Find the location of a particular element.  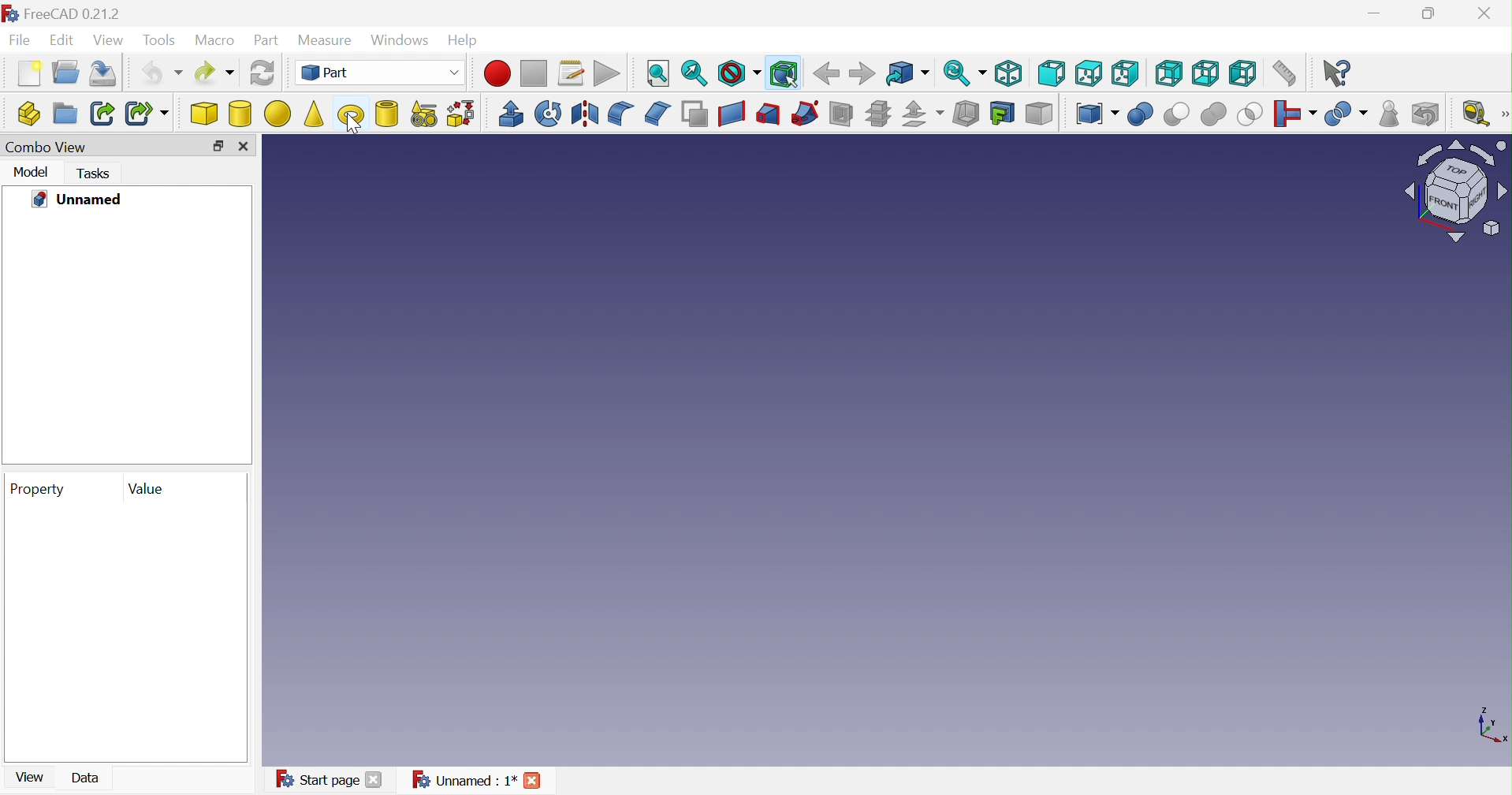

Stop macro recording is located at coordinates (534, 73).